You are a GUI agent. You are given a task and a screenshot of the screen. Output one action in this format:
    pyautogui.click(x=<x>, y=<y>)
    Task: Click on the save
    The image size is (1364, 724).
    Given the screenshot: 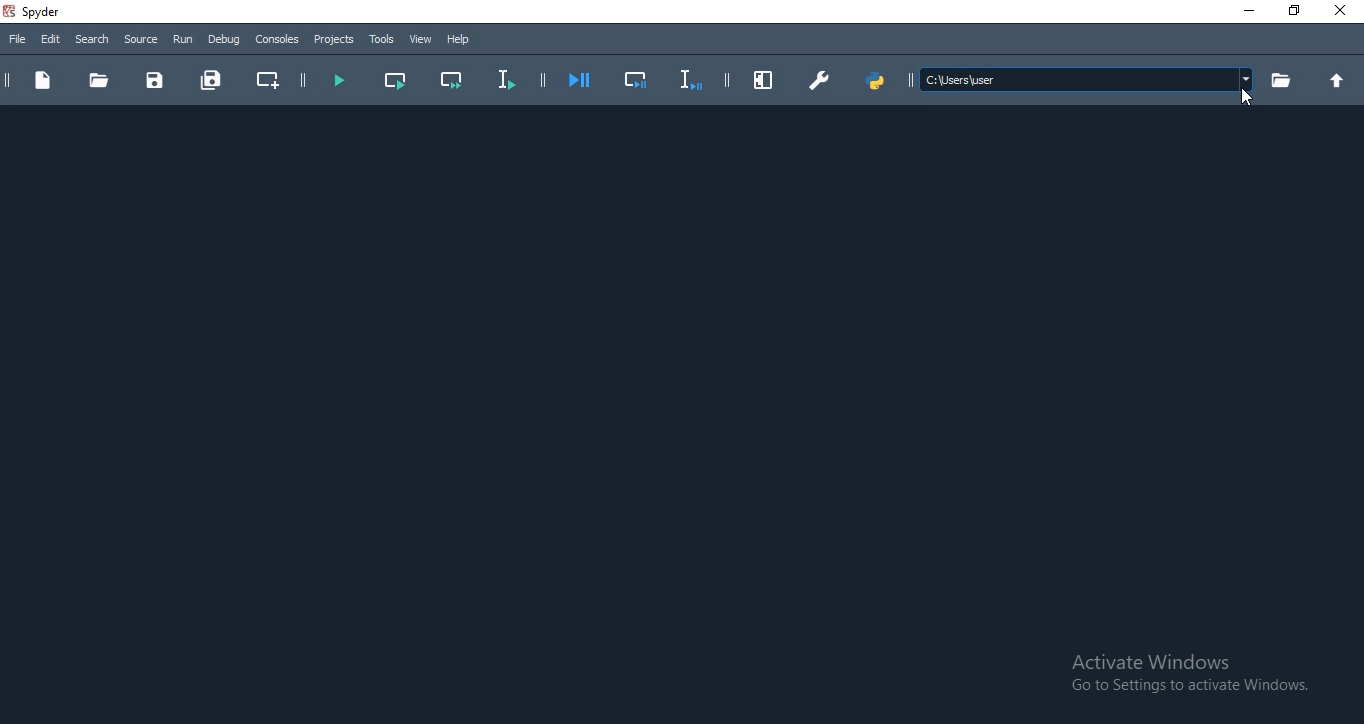 What is the action you would take?
    pyautogui.click(x=156, y=81)
    